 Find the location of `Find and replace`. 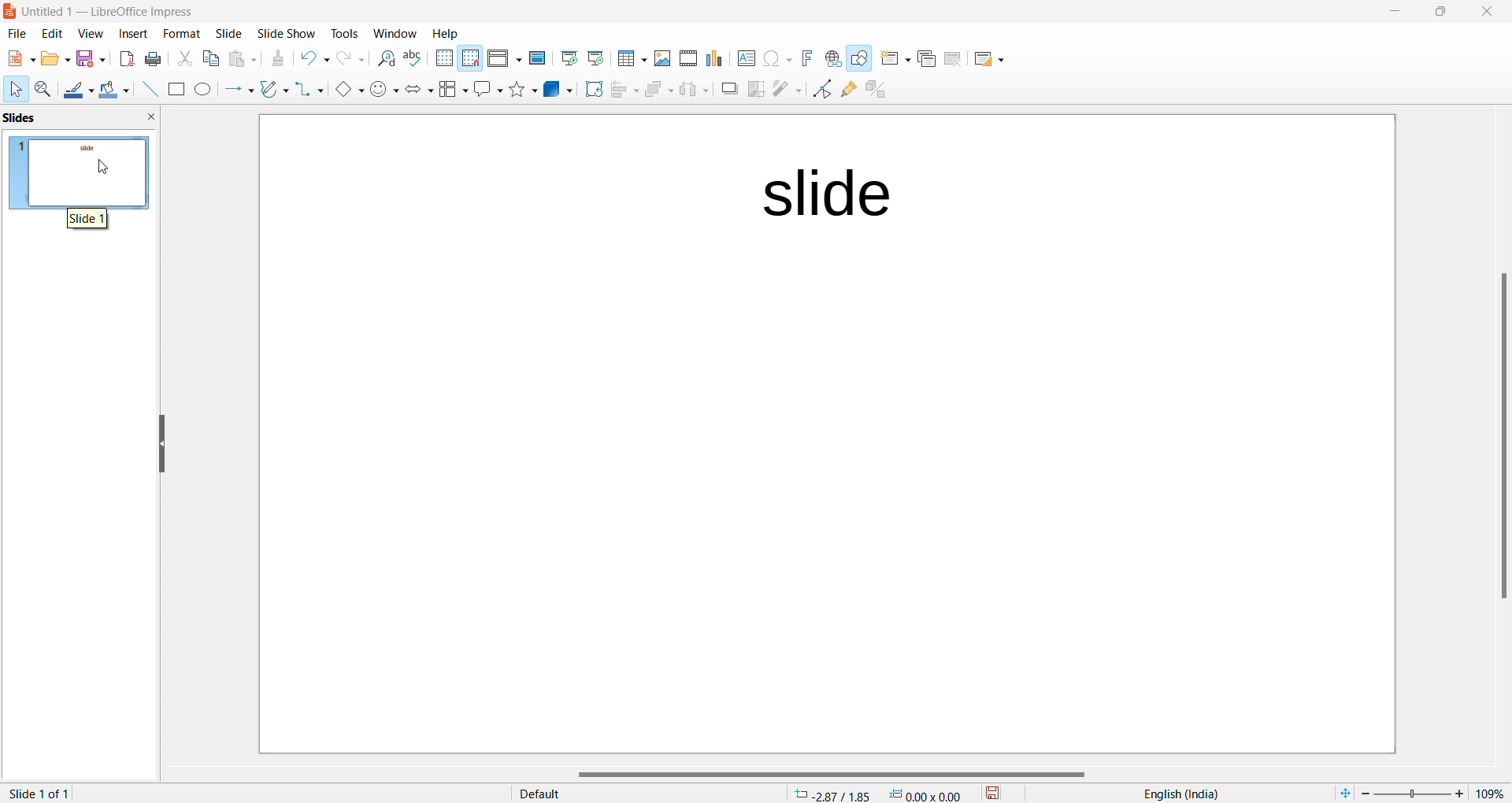

Find and replace is located at coordinates (384, 59).